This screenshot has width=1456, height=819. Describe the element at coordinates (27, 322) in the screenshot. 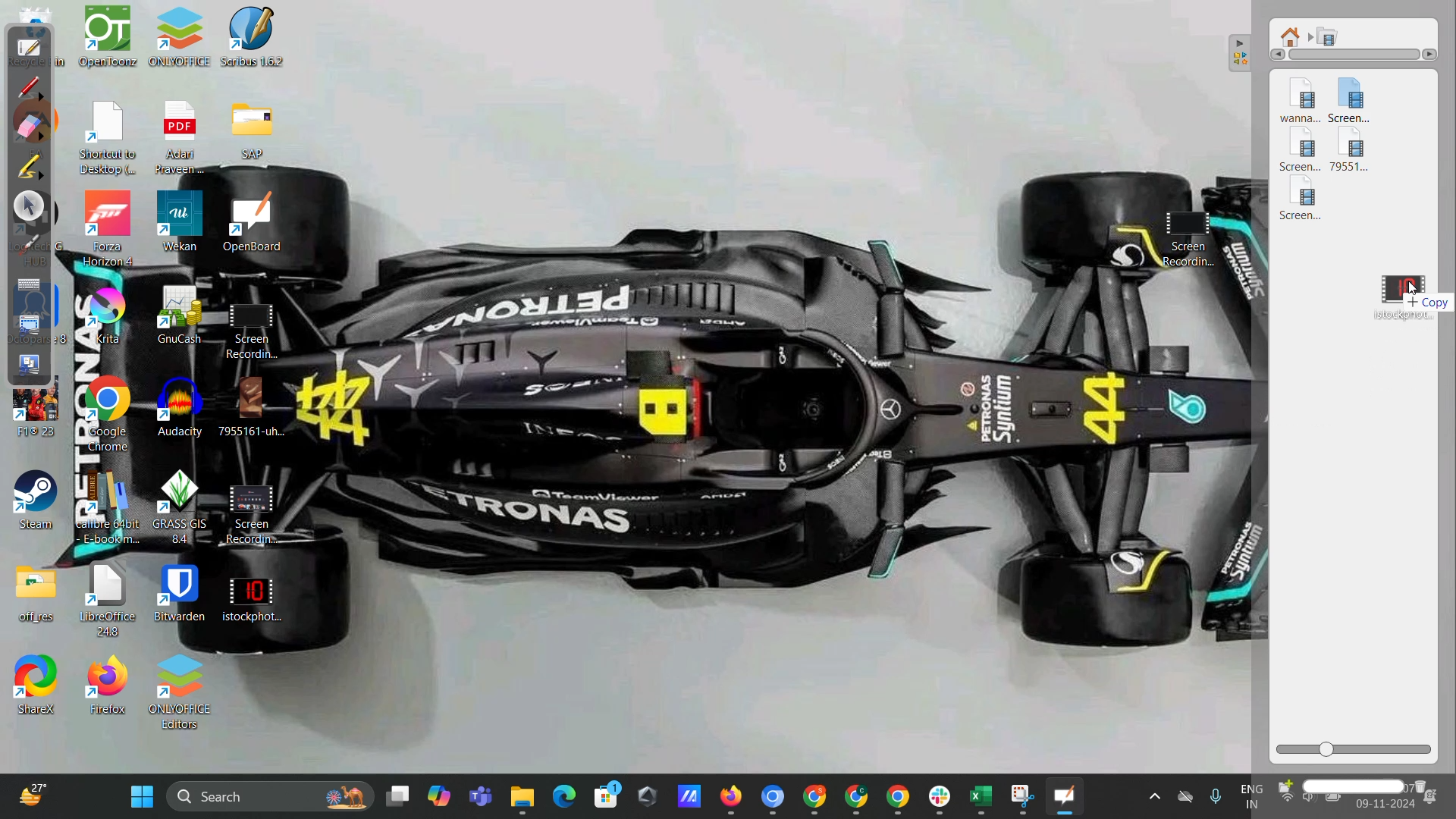

I see `capture part of screen` at that location.